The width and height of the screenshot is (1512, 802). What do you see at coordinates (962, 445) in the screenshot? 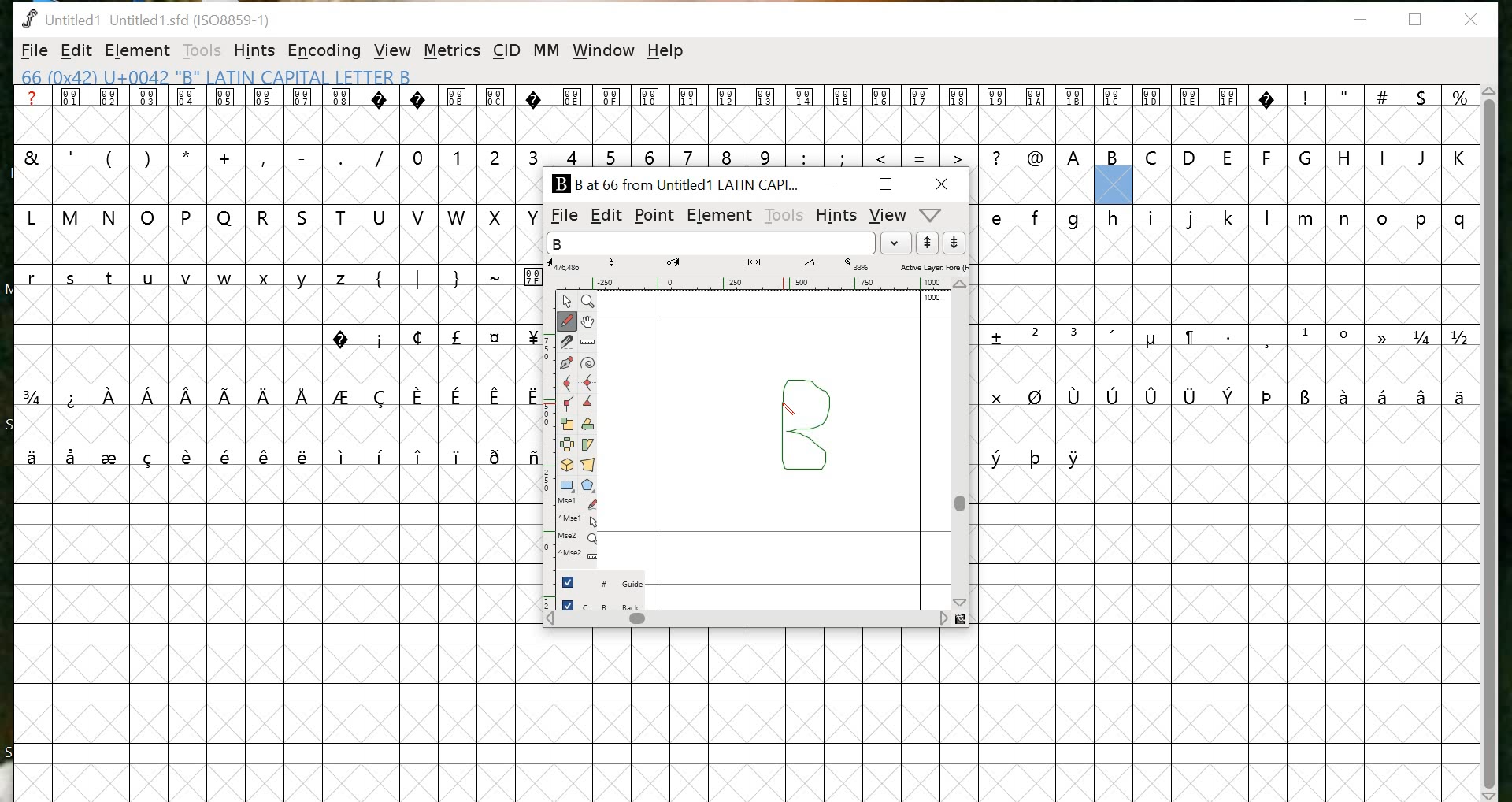
I see `scrollbar` at bounding box center [962, 445].